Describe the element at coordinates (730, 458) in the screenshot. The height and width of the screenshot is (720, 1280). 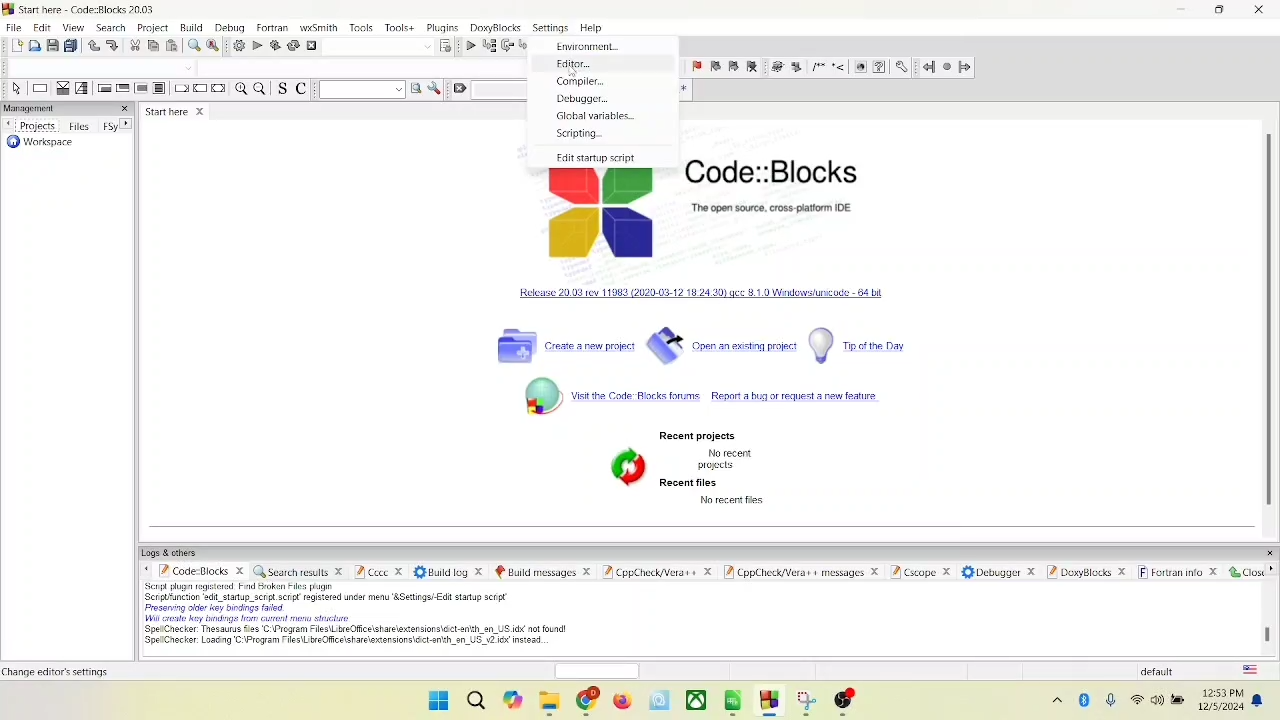
I see `text` at that location.